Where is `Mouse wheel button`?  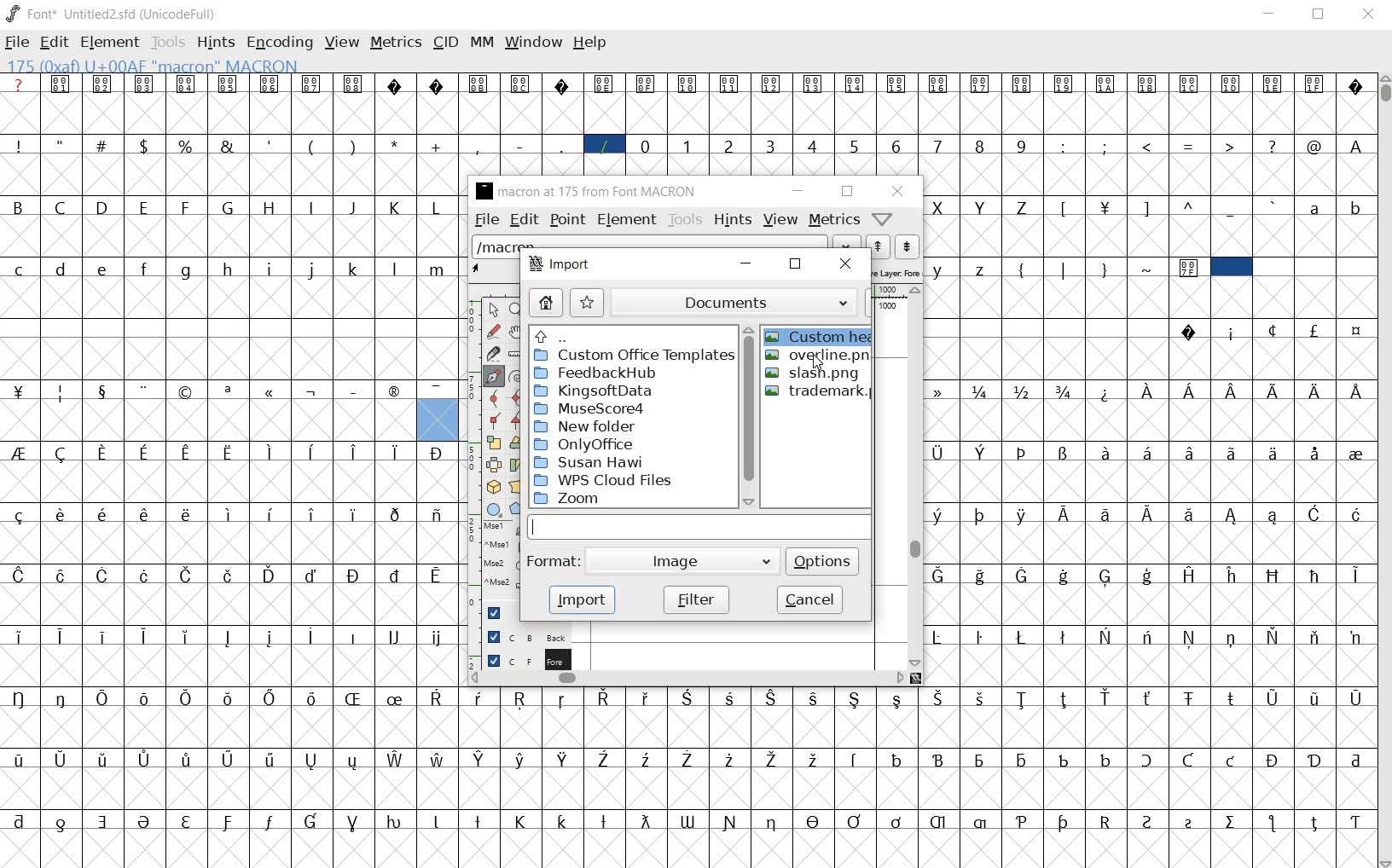 Mouse wheel button is located at coordinates (502, 567).